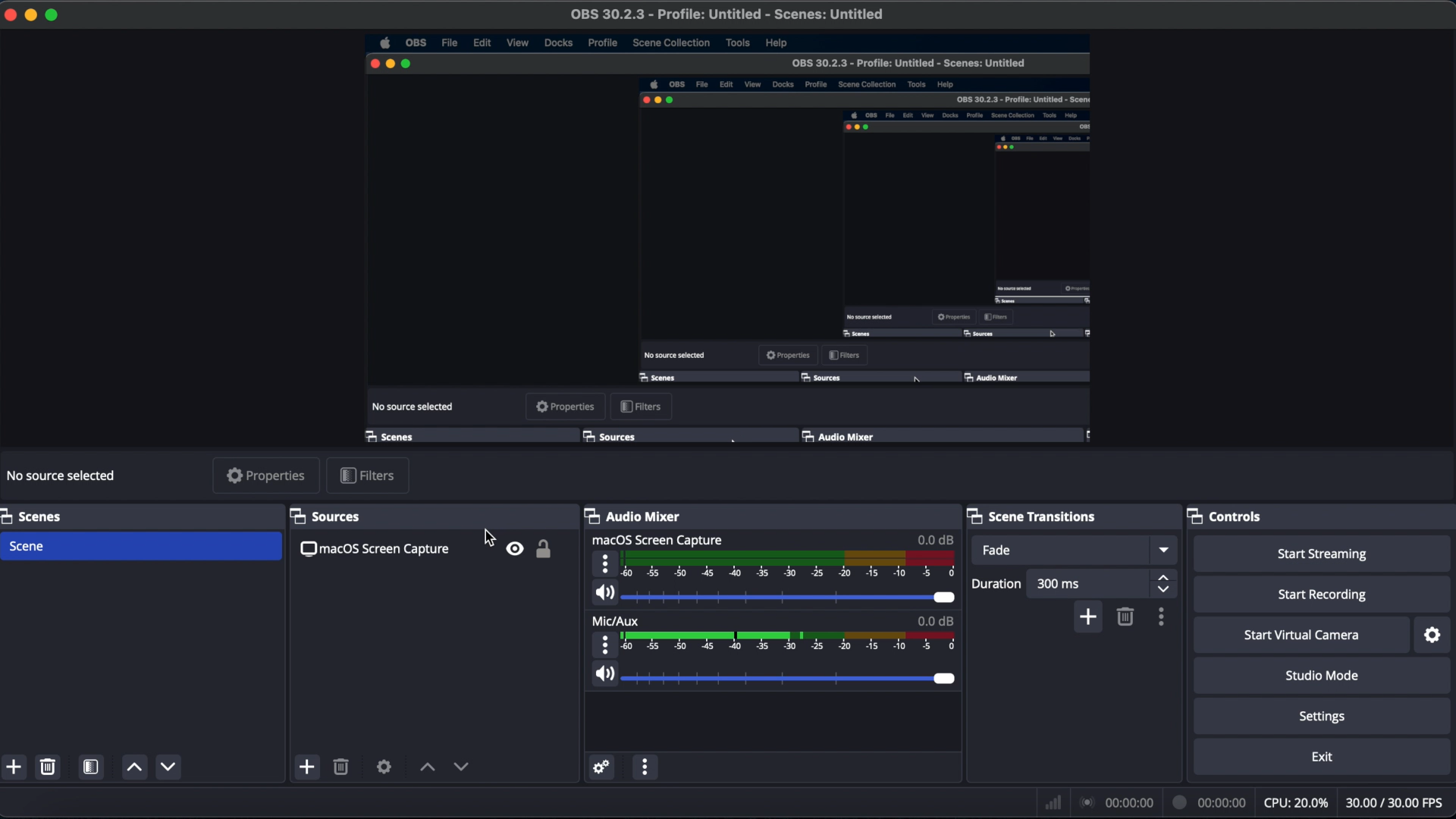  Describe the element at coordinates (371, 476) in the screenshot. I see `filters` at that location.